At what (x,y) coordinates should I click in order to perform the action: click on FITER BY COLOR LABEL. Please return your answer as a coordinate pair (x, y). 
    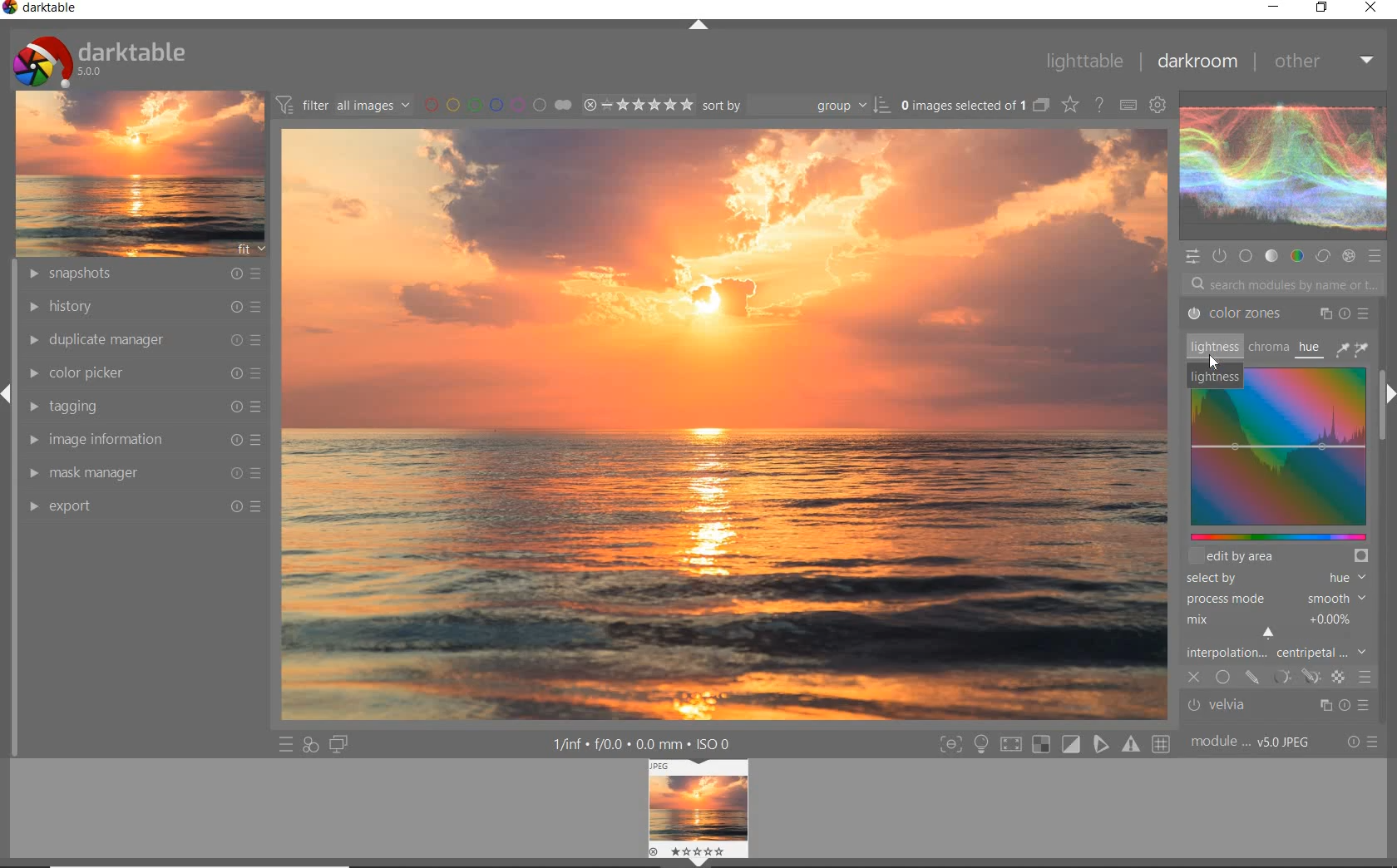
    Looking at the image, I should click on (496, 104).